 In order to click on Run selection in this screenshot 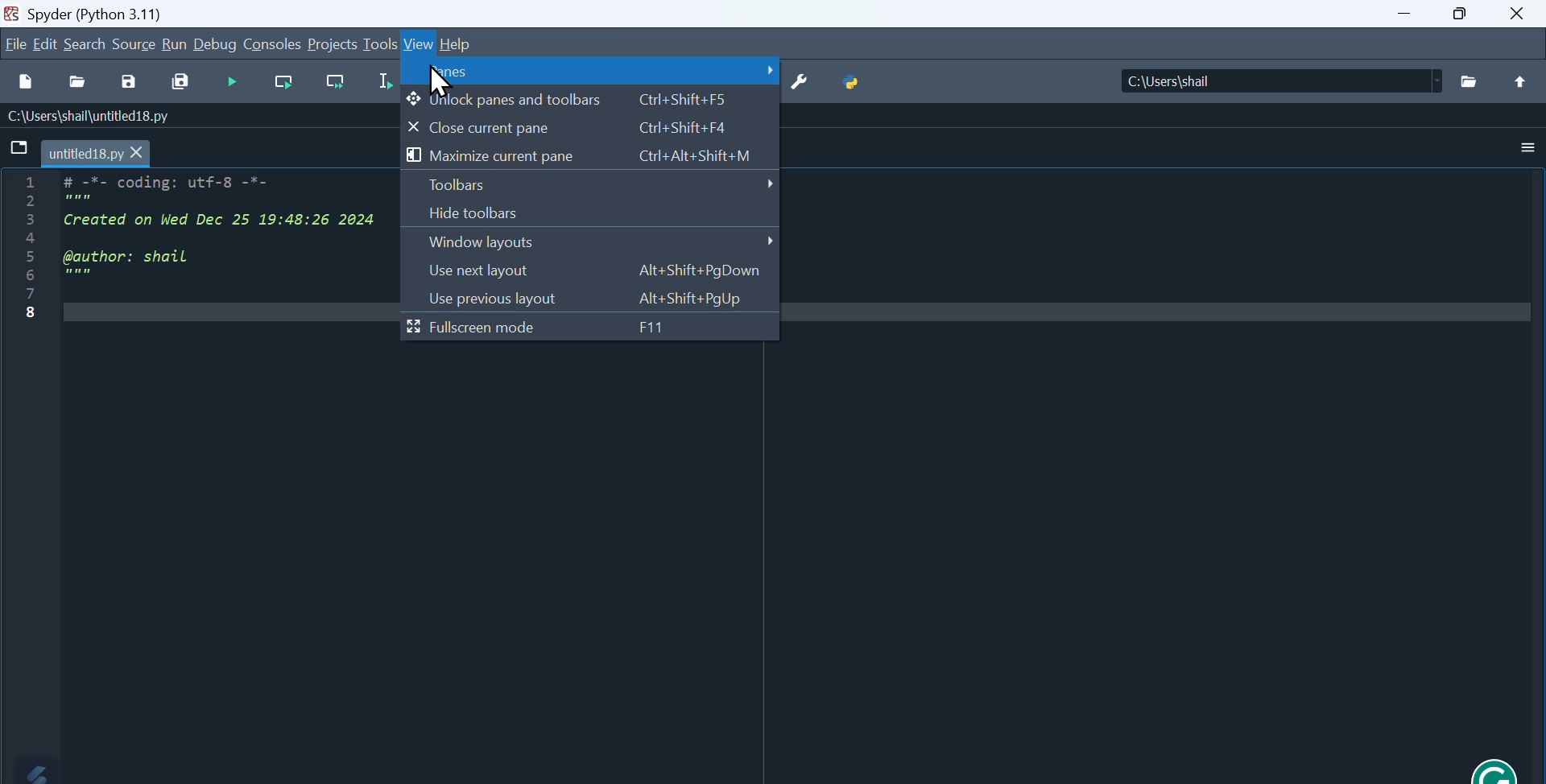, I will do `click(381, 82)`.